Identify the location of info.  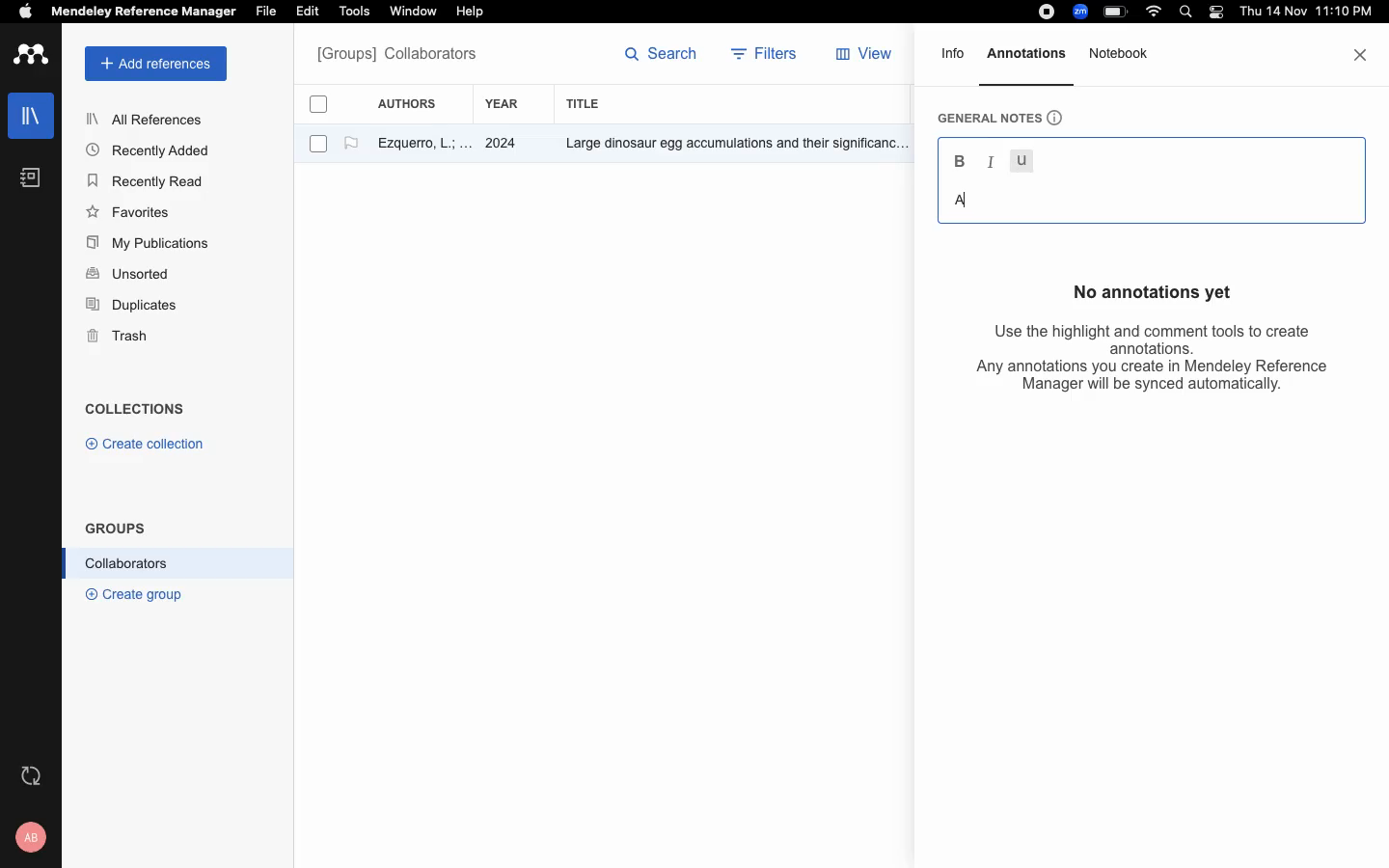
(954, 60).